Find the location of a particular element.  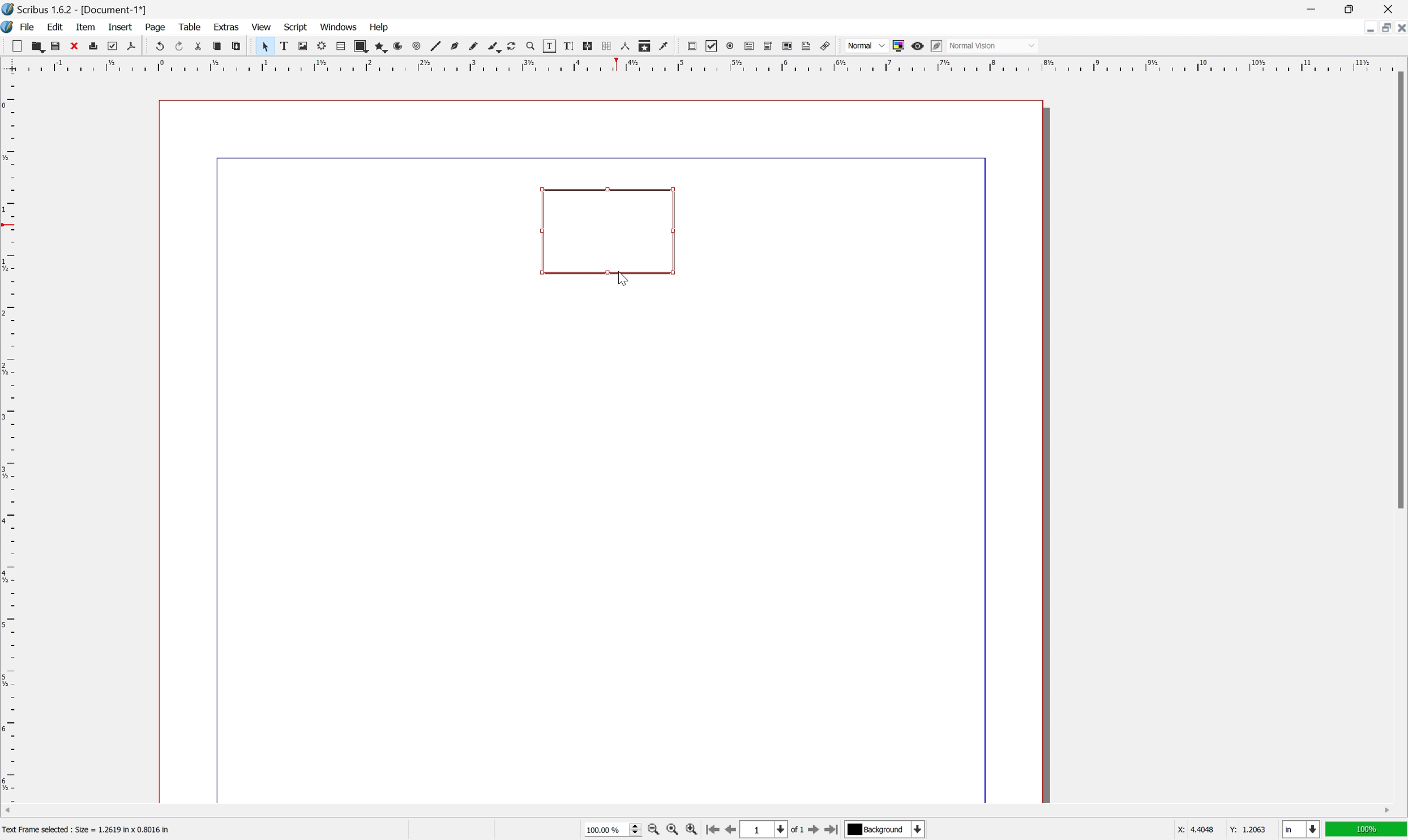

page is located at coordinates (156, 28).